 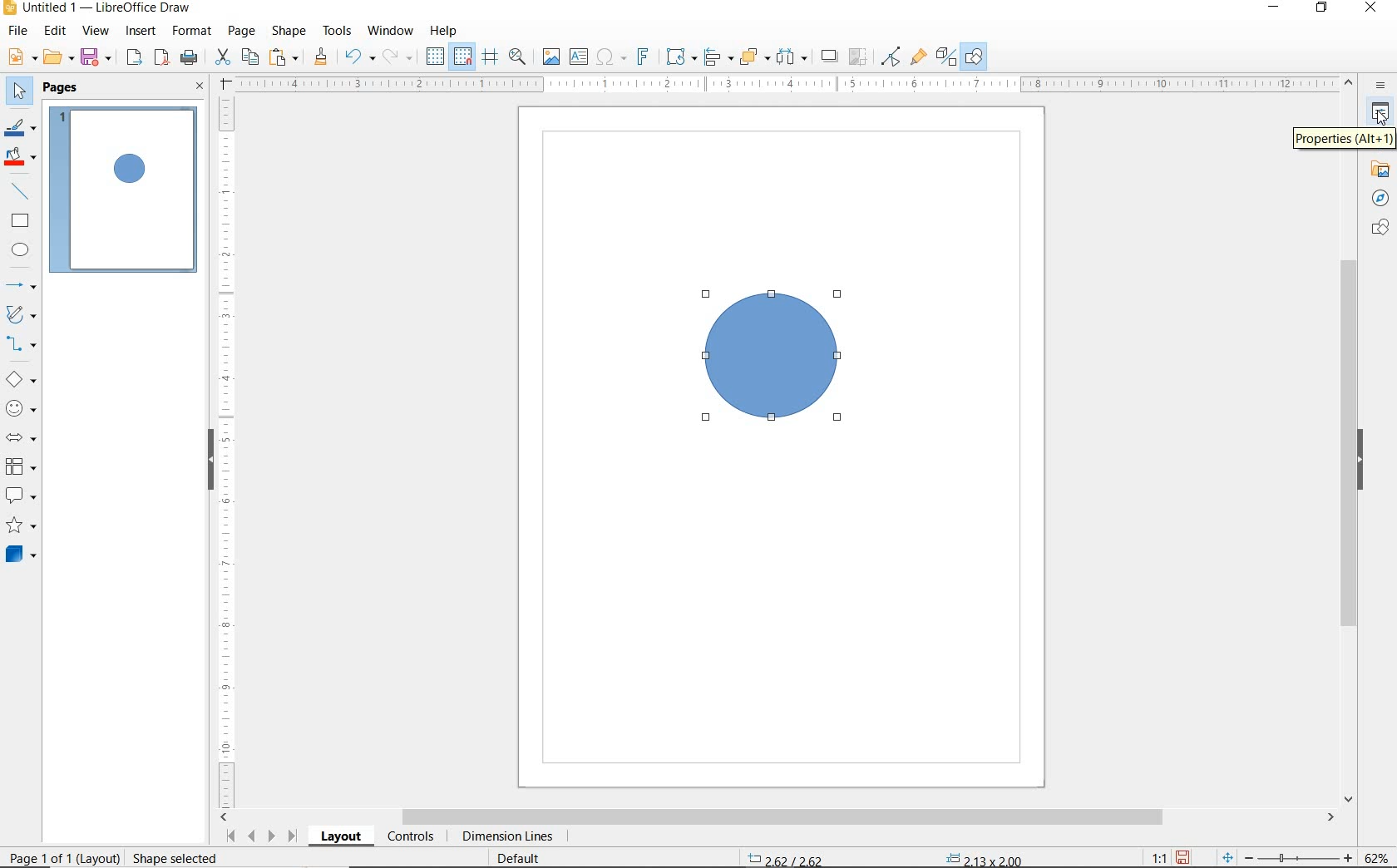 What do you see at coordinates (919, 59) in the screenshot?
I see `SHOW GLUPEOINT FUNCTIONS` at bounding box center [919, 59].